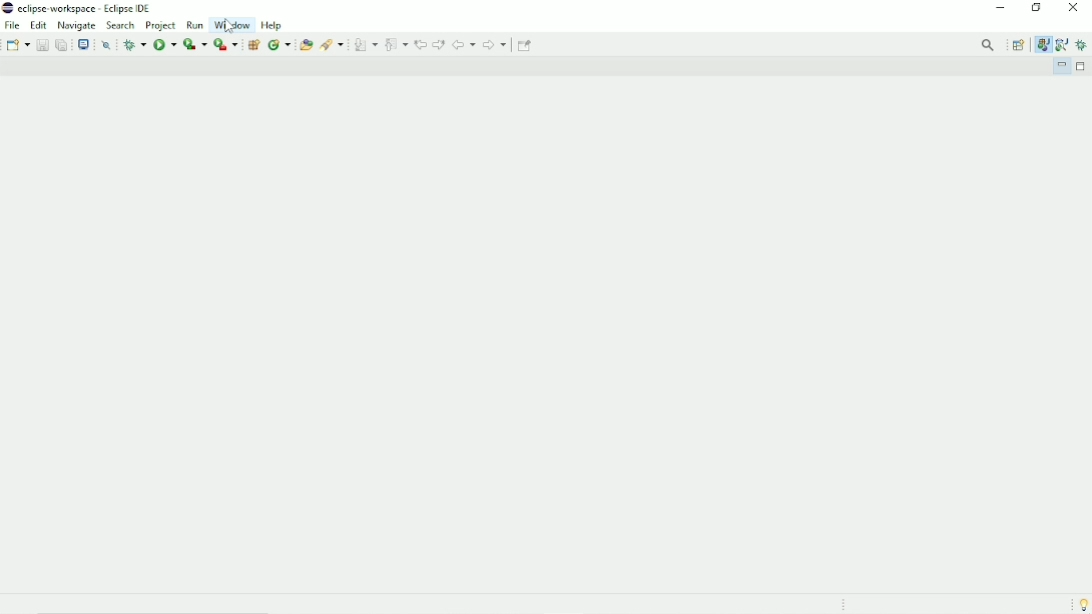  Describe the element at coordinates (1018, 45) in the screenshot. I see `Open Perspective` at that location.